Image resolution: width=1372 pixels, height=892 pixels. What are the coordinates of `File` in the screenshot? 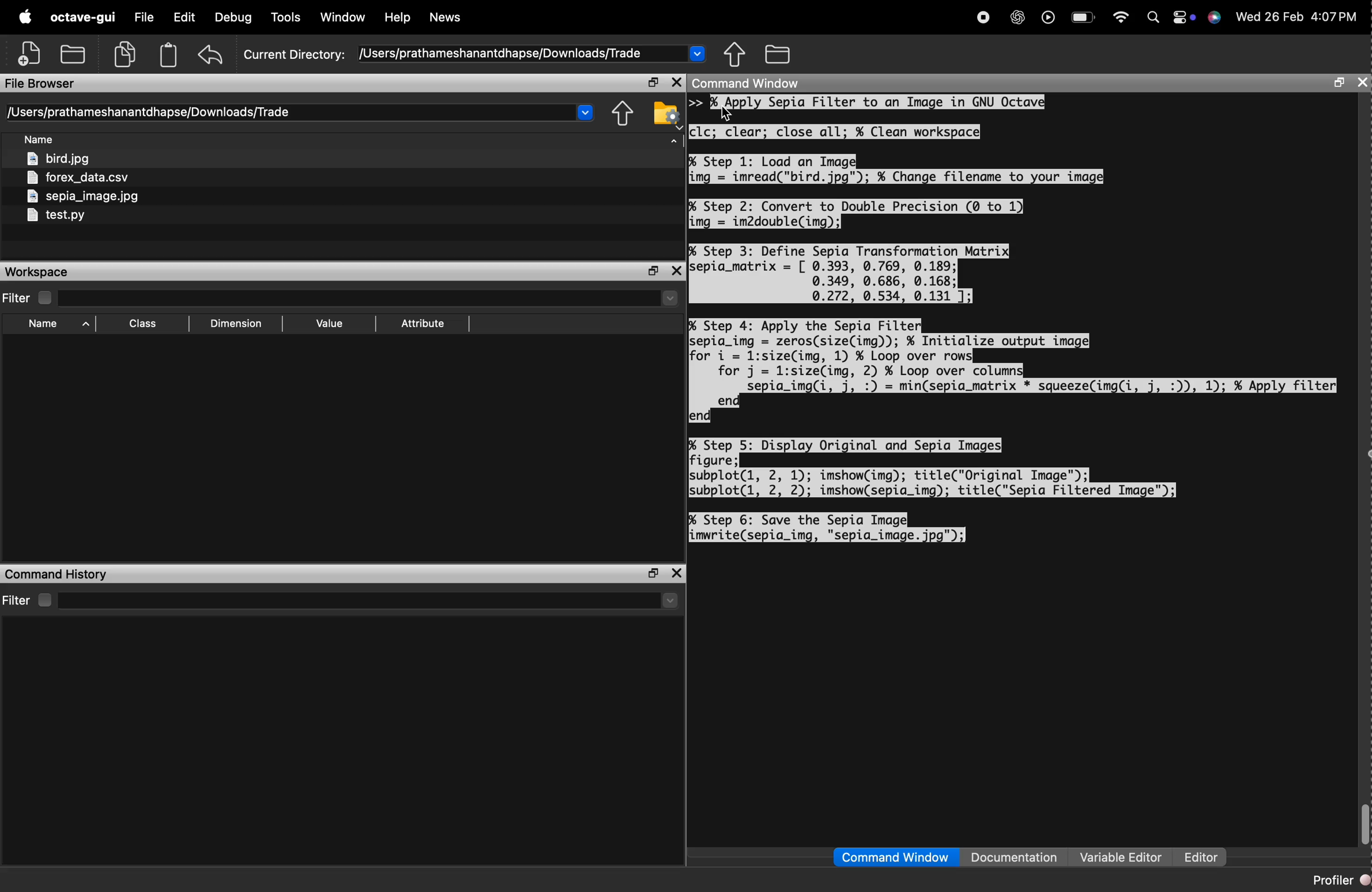 It's located at (145, 18).